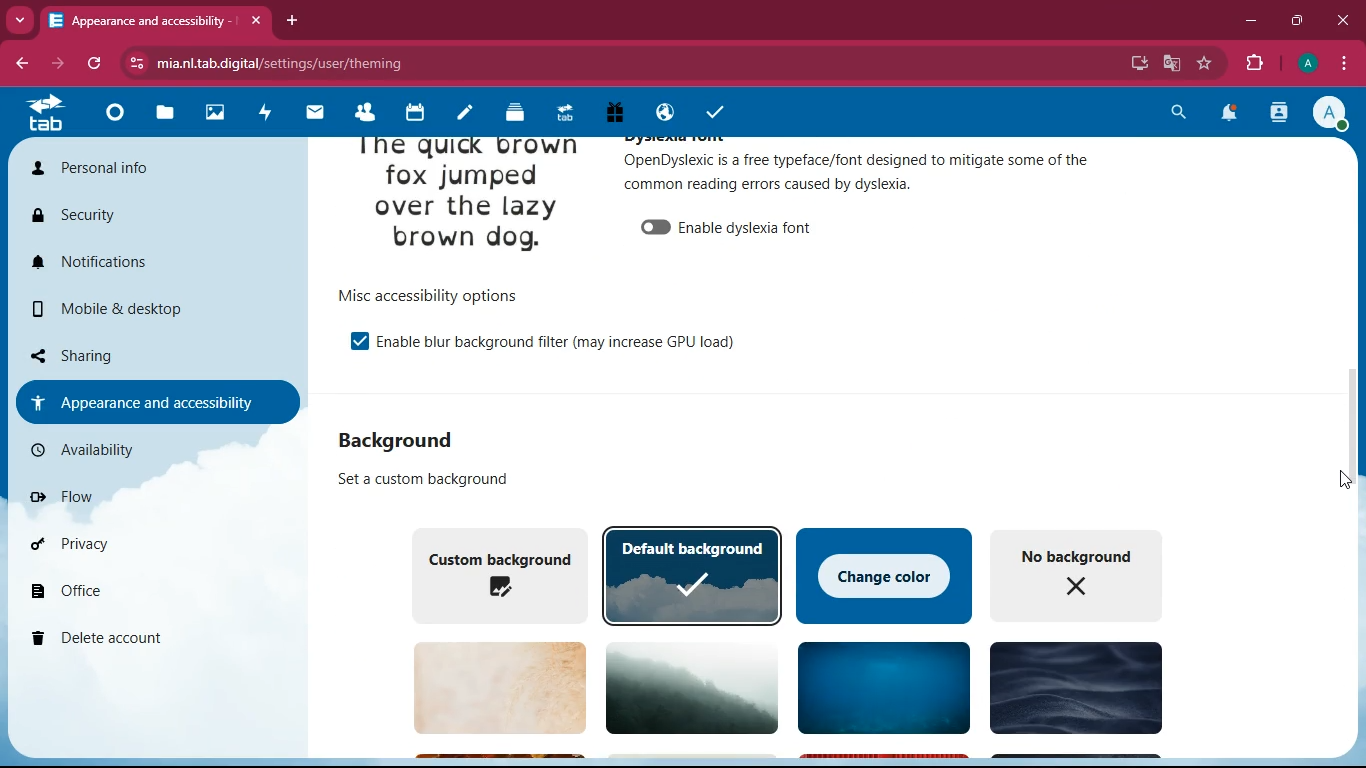  I want to click on refresh, so click(100, 64).